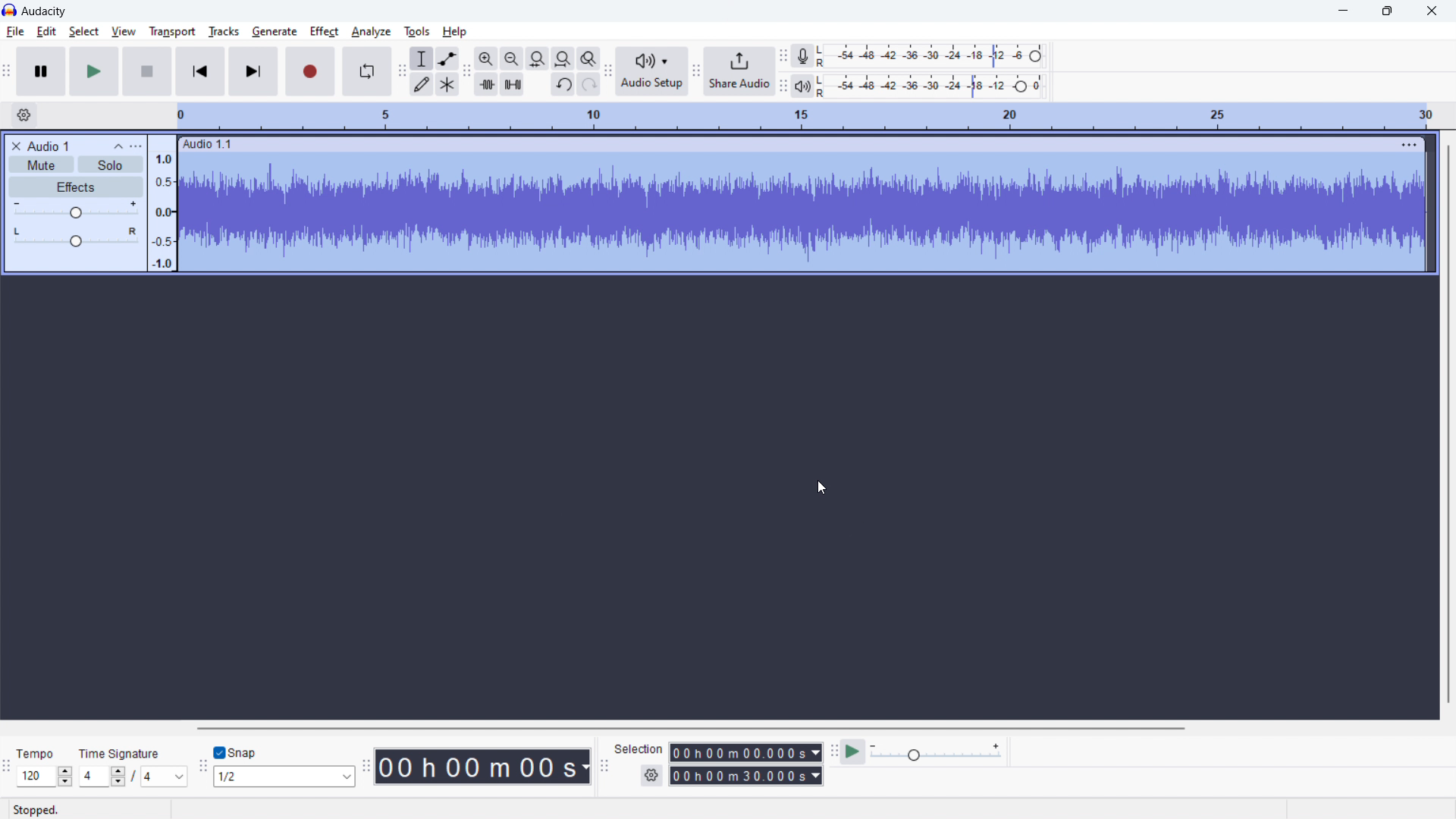  What do you see at coordinates (486, 58) in the screenshot?
I see `zoom in` at bounding box center [486, 58].